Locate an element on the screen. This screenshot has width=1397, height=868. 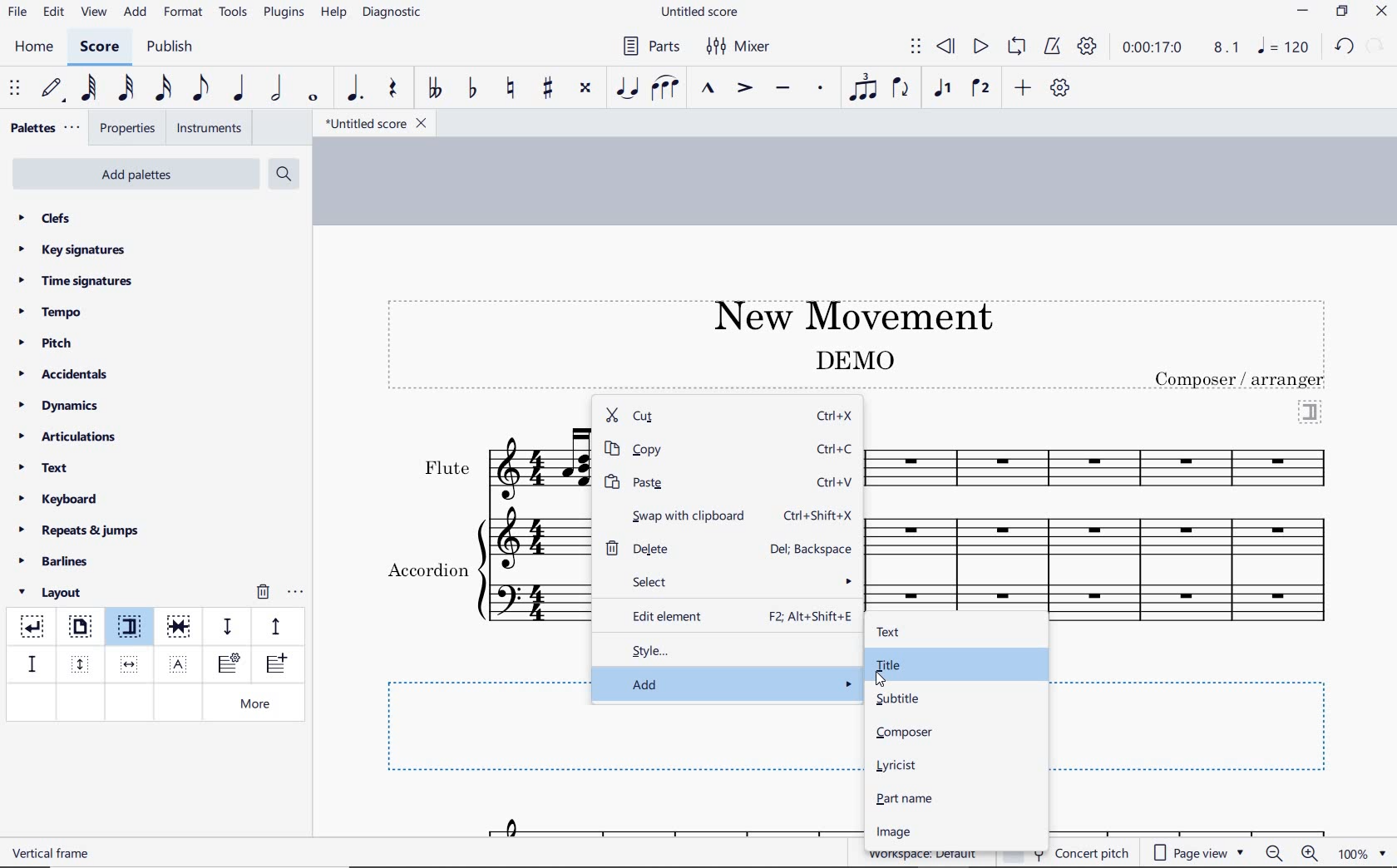
home is located at coordinates (33, 47).